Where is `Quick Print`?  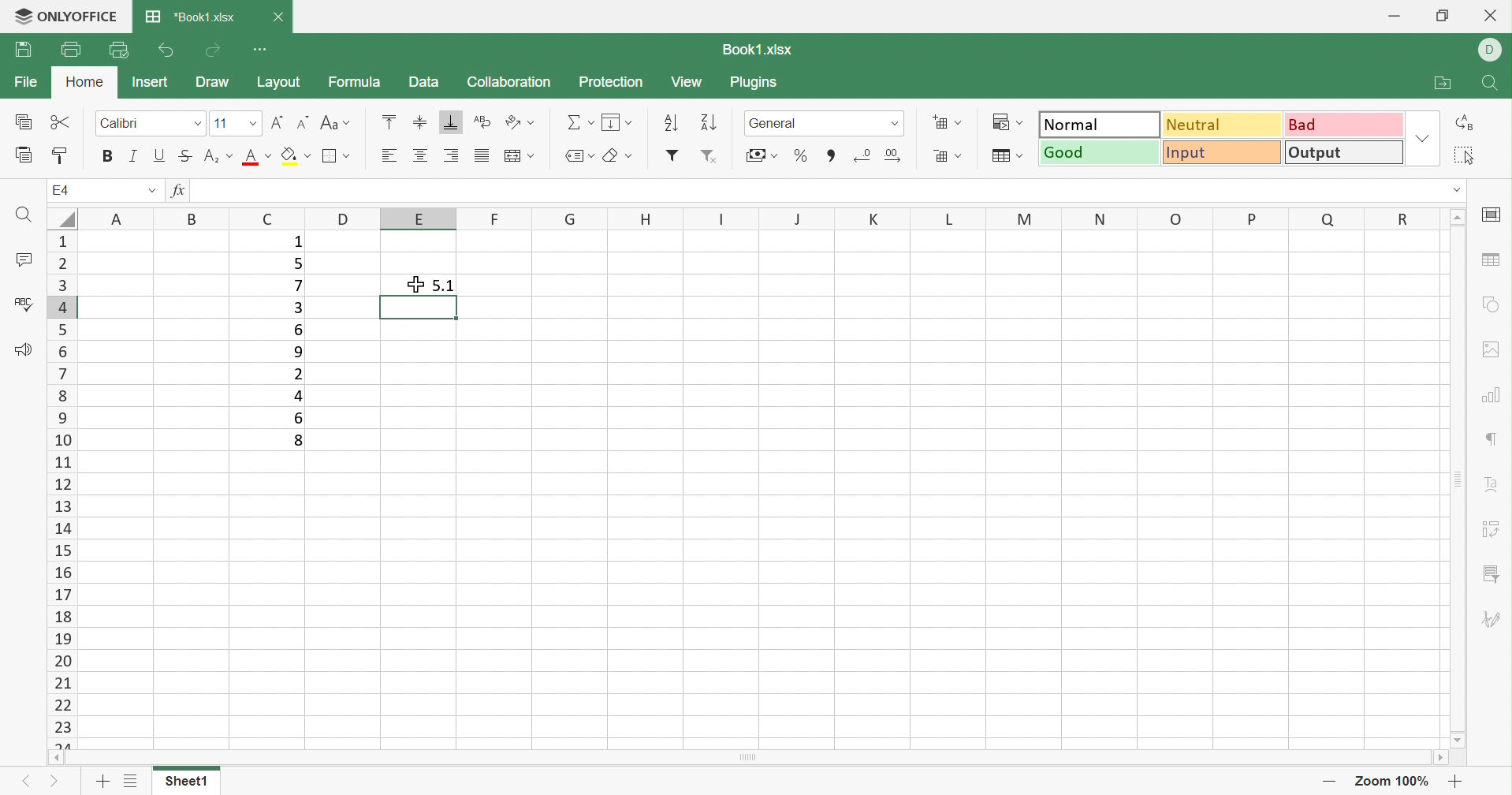
Quick Print is located at coordinates (117, 50).